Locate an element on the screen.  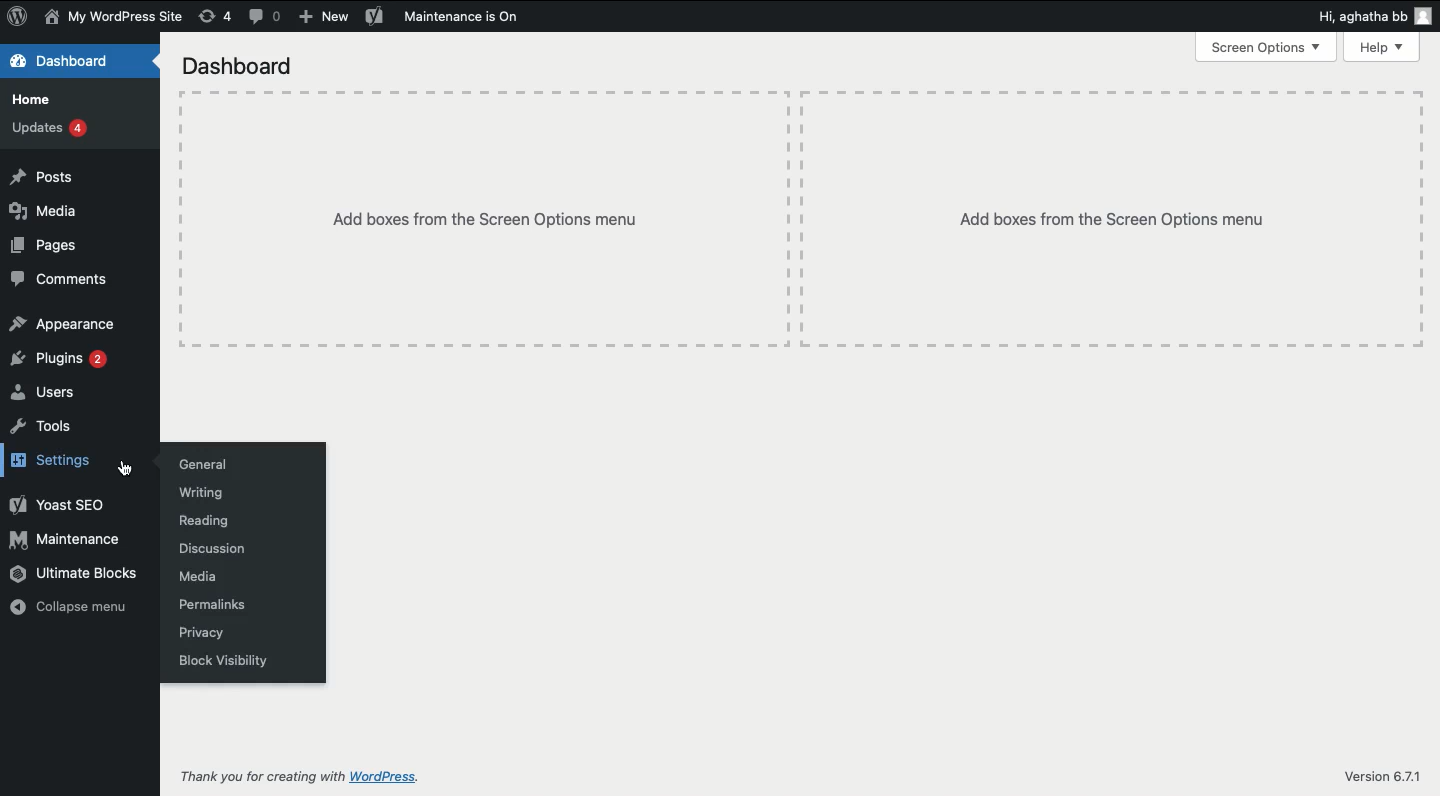
add new is located at coordinates (322, 15).